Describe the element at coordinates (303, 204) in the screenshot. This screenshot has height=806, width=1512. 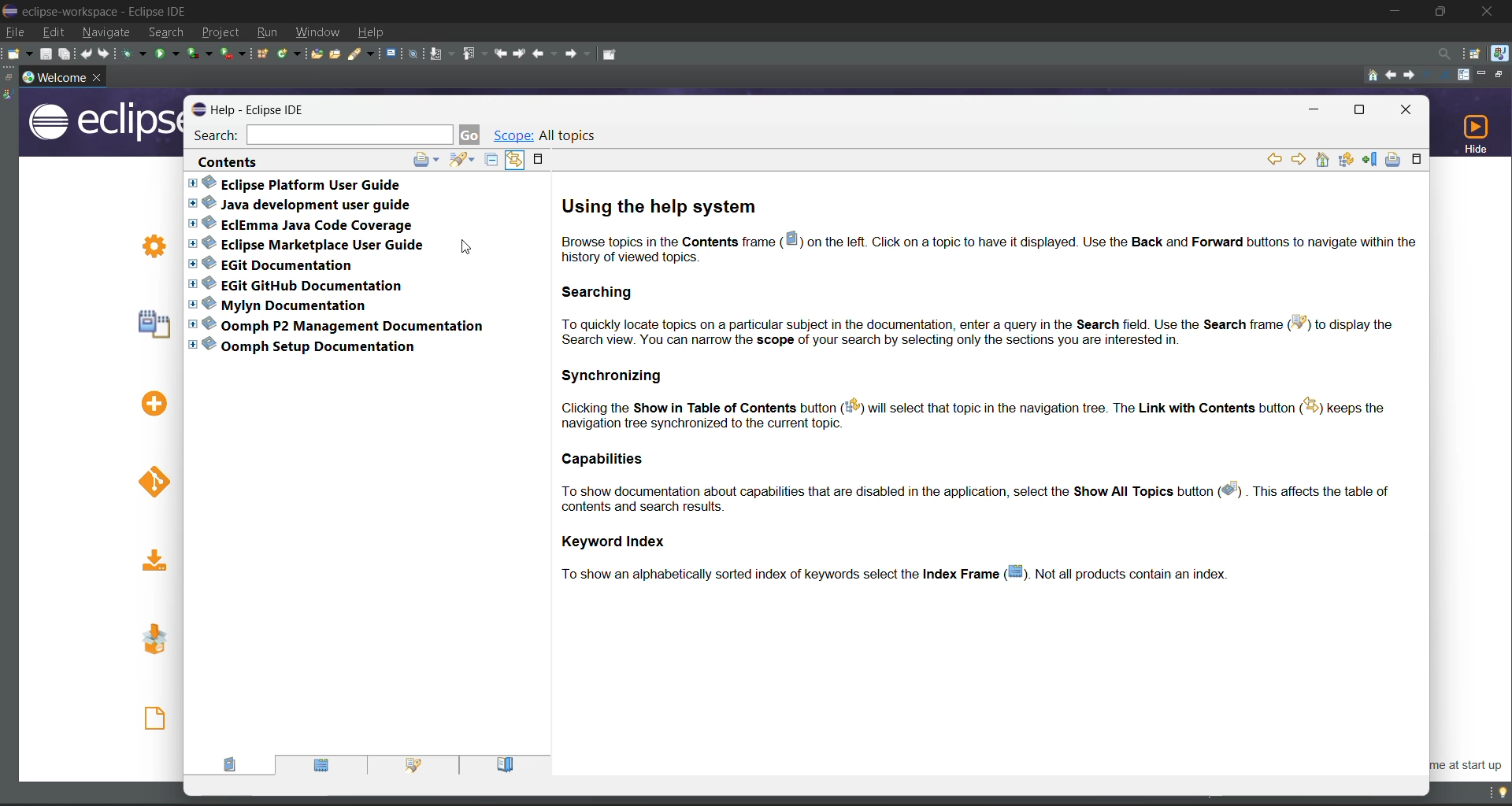
I see `java development user guide` at that location.